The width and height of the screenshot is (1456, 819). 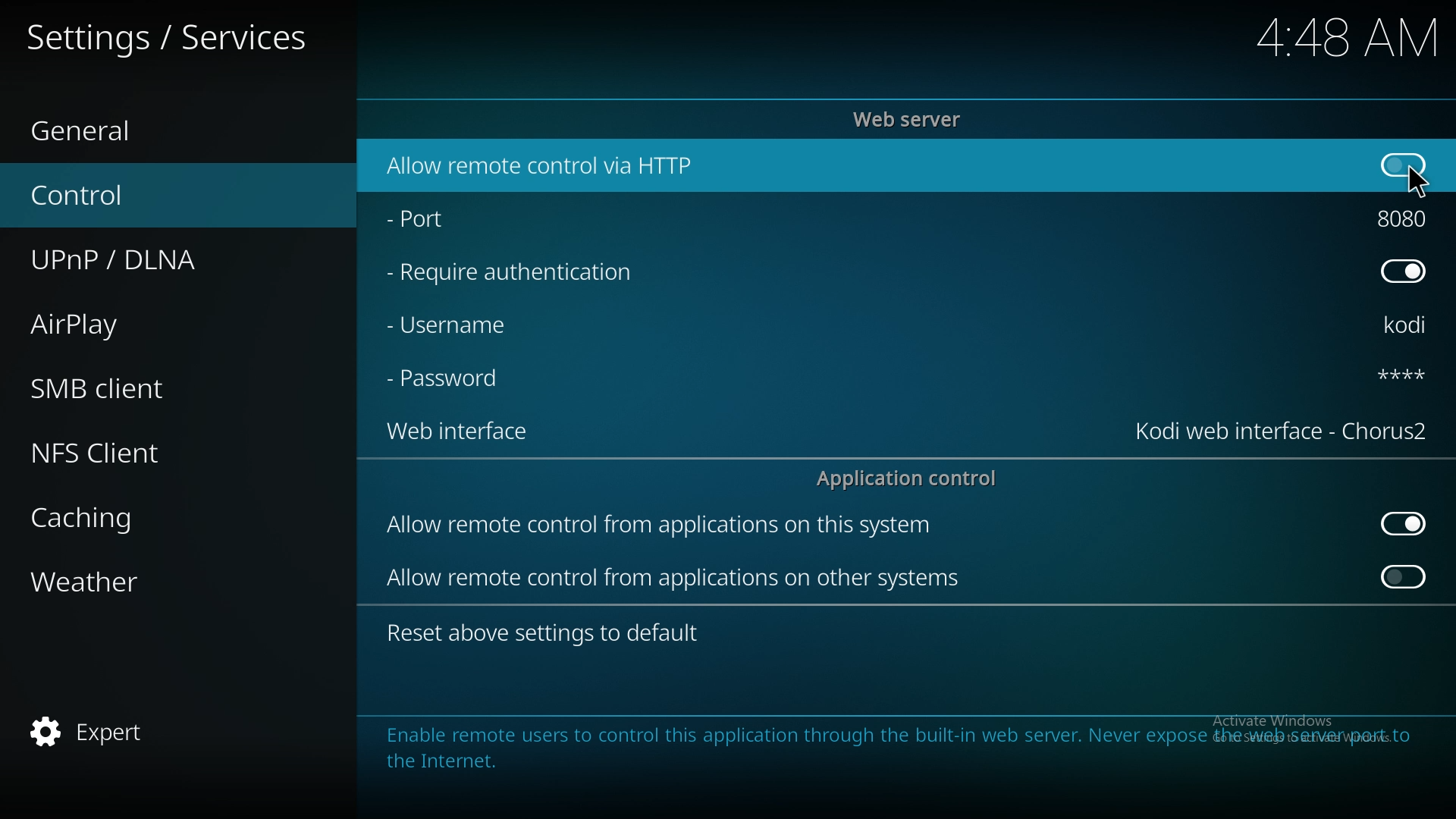 What do you see at coordinates (117, 582) in the screenshot?
I see `weather` at bounding box center [117, 582].